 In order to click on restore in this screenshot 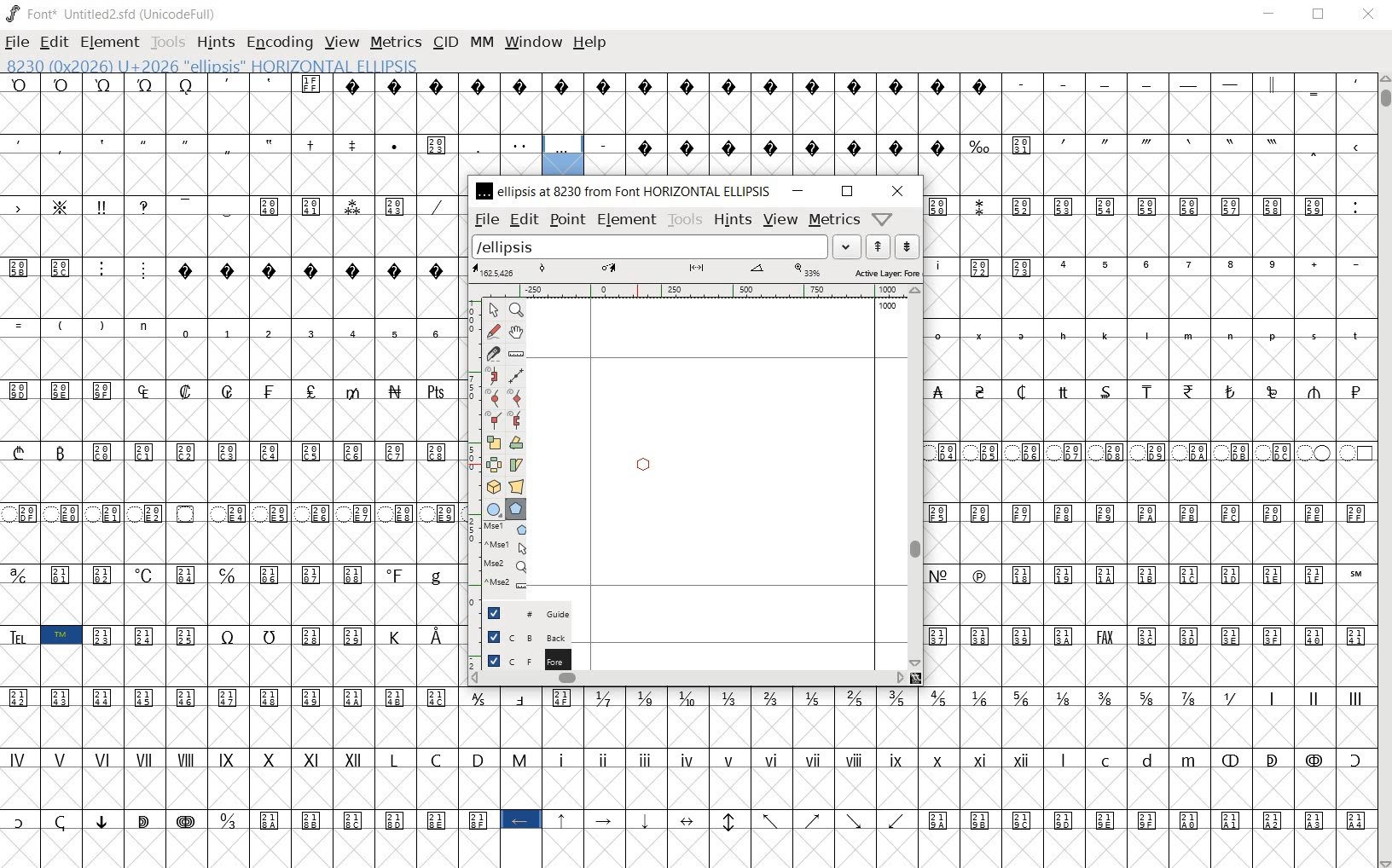, I will do `click(848, 192)`.